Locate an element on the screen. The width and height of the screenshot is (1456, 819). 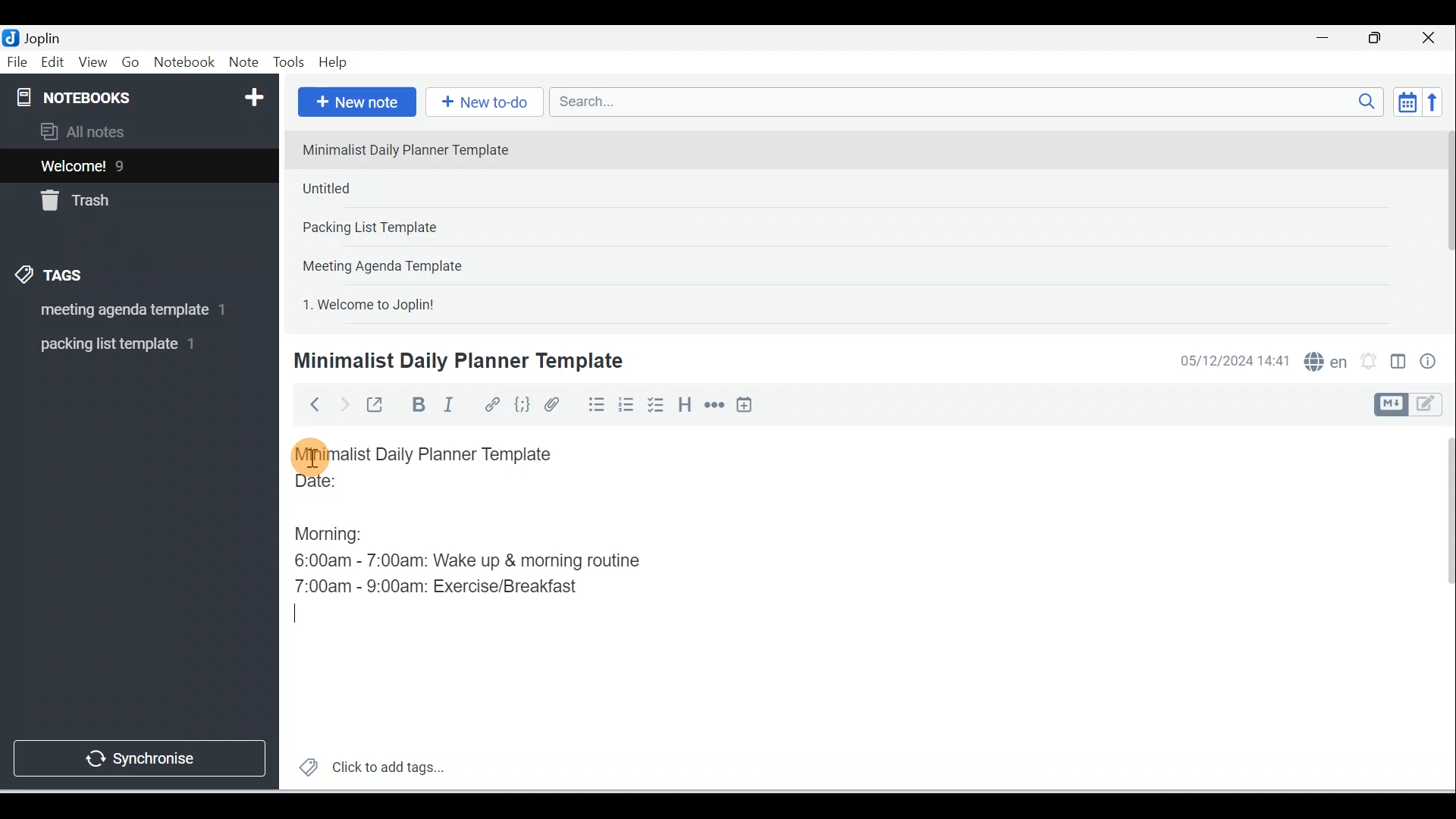
Toggle external editing is located at coordinates (377, 408).